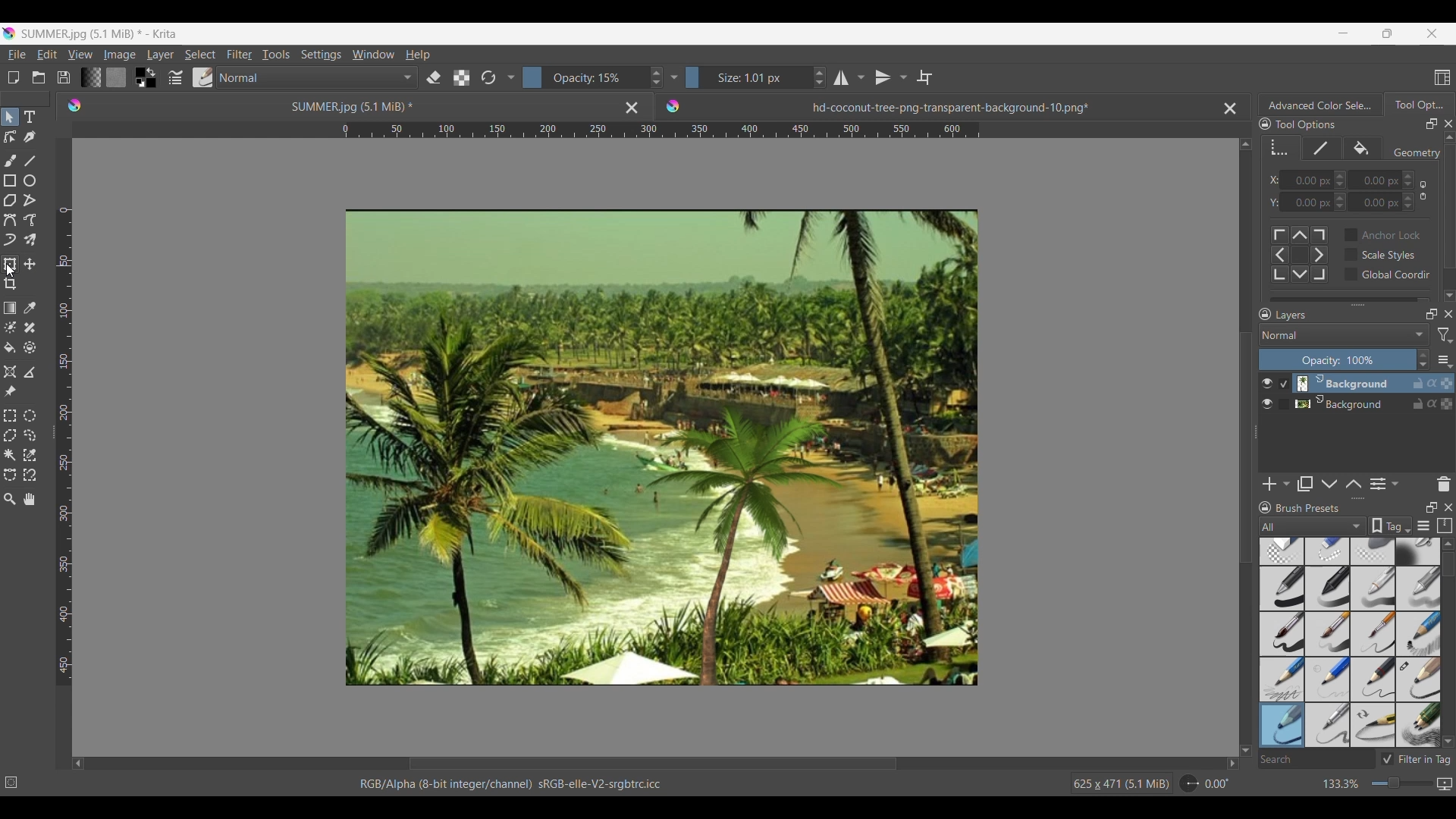  What do you see at coordinates (1246, 141) in the screenshot?
I see `Up` at bounding box center [1246, 141].